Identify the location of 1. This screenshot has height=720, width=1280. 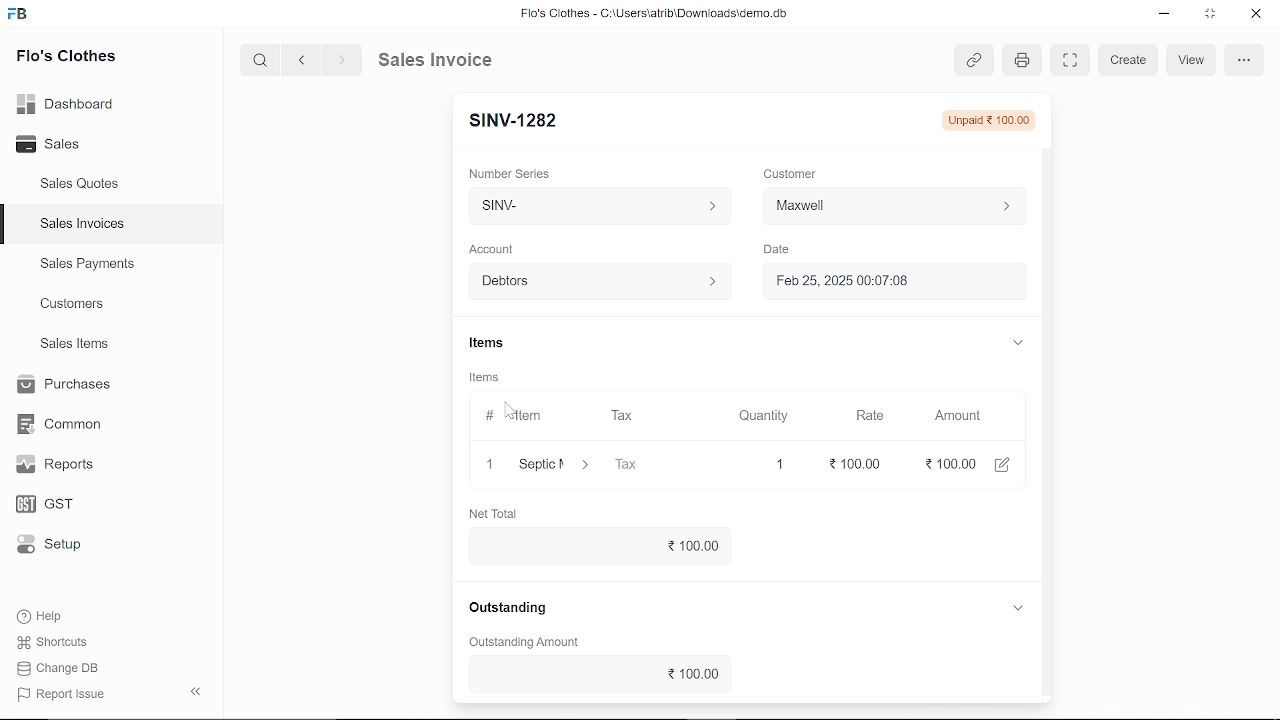
(779, 464).